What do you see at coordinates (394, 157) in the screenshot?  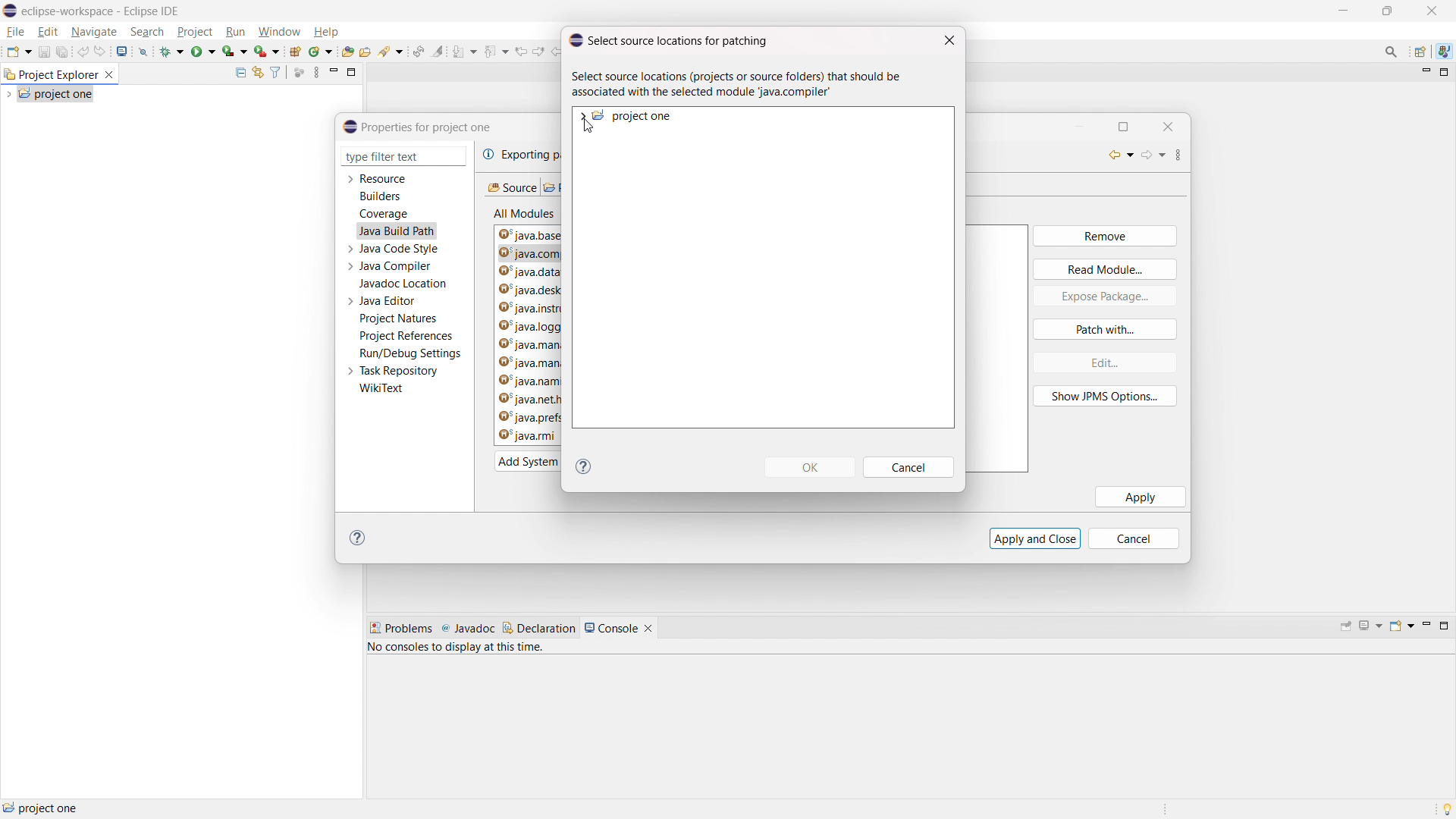 I see `type filter text` at bounding box center [394, 157].